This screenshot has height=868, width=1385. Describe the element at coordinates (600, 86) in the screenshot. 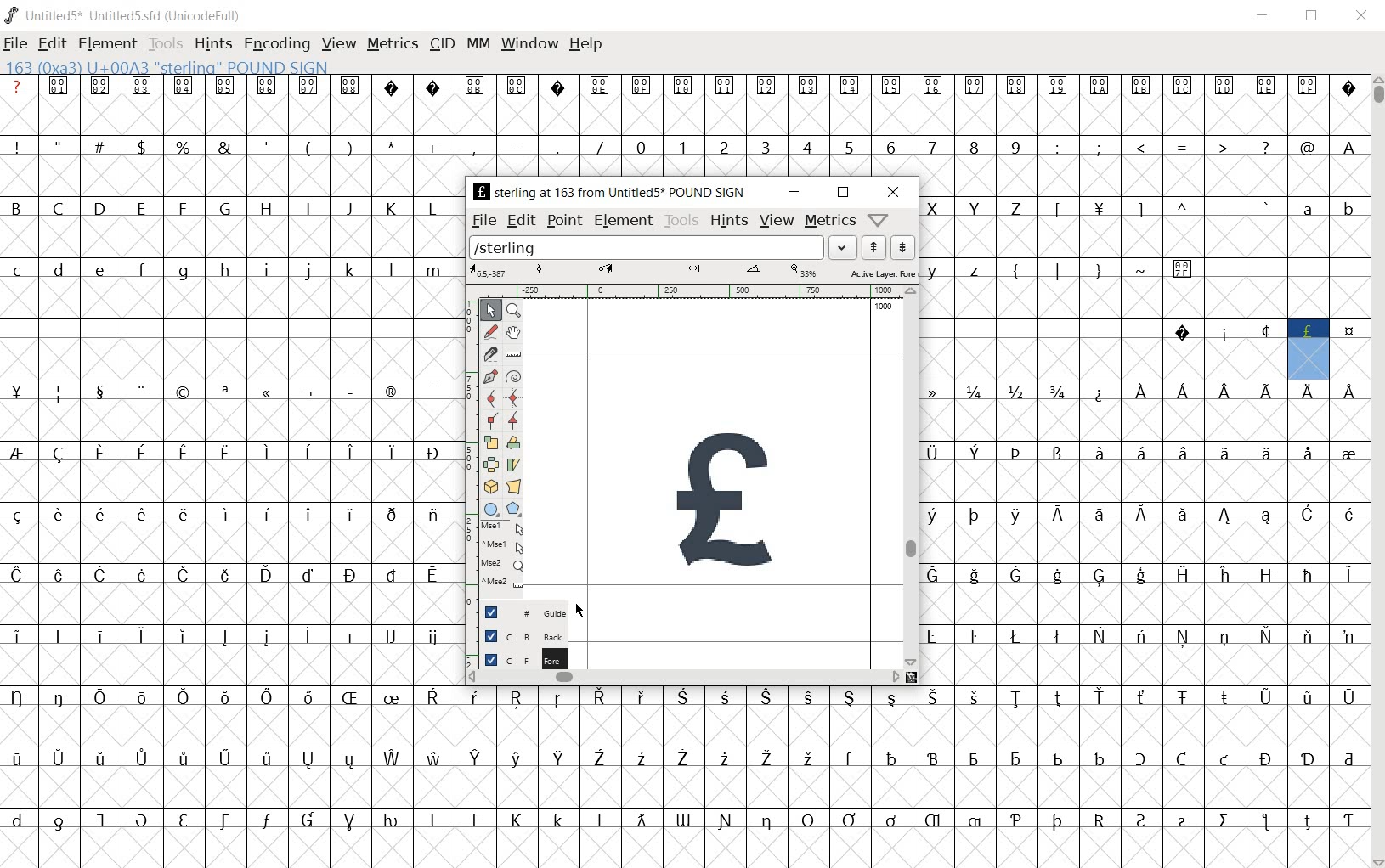

I see `Symbol` at that location.